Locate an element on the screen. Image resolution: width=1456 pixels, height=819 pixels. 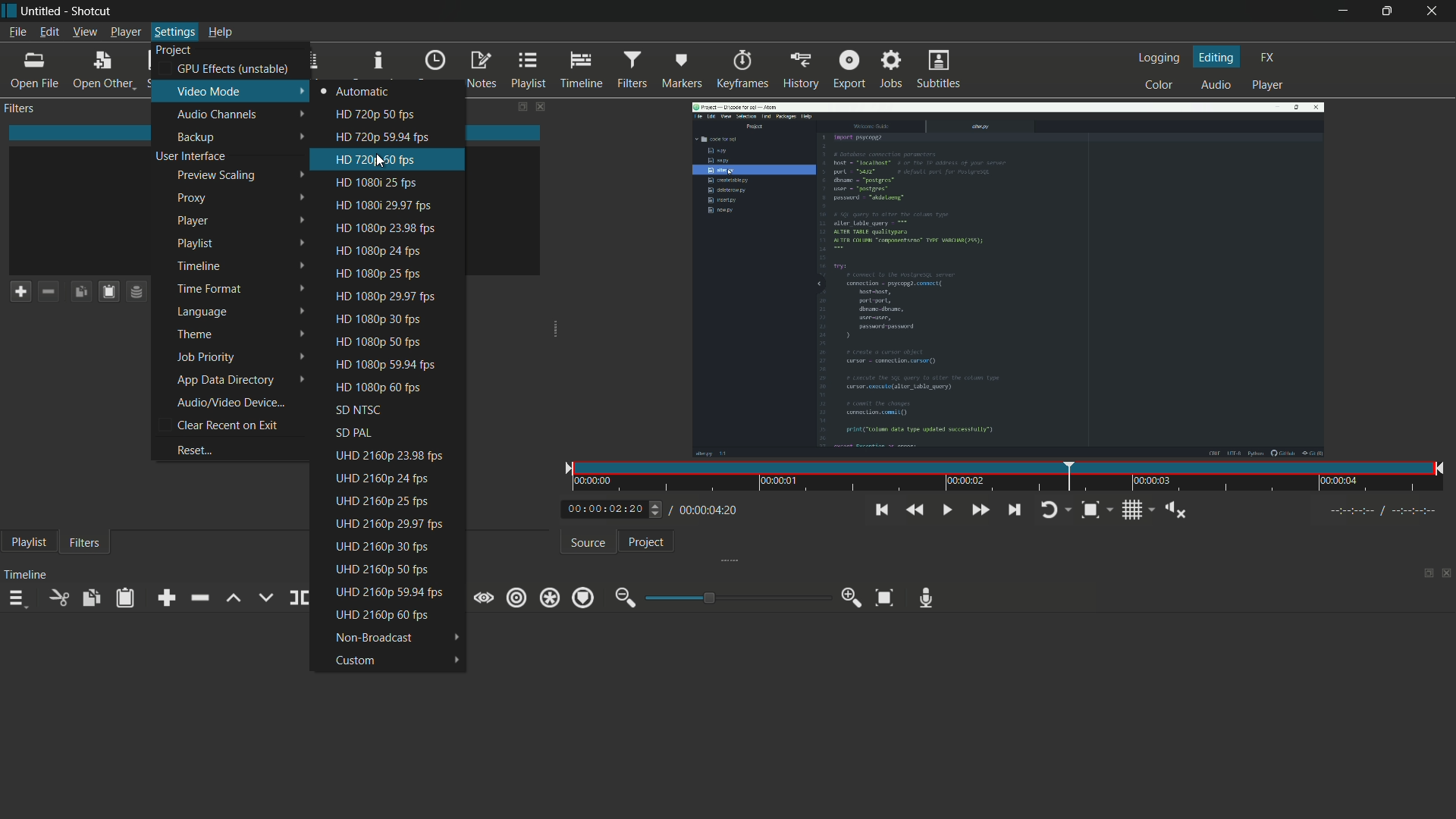
markers is located at coordinates (682, 71).